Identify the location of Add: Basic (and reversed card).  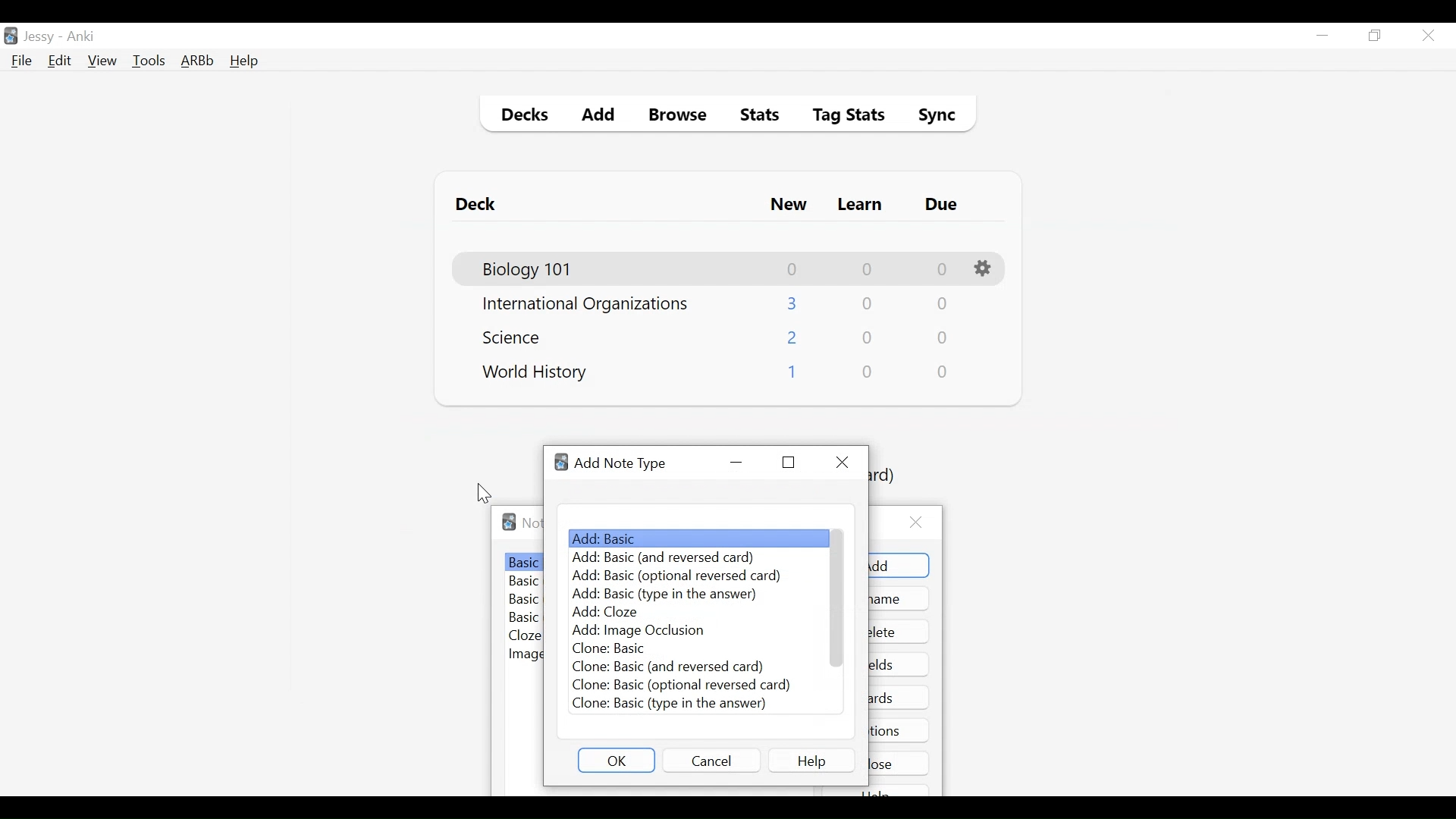
(675, 558).